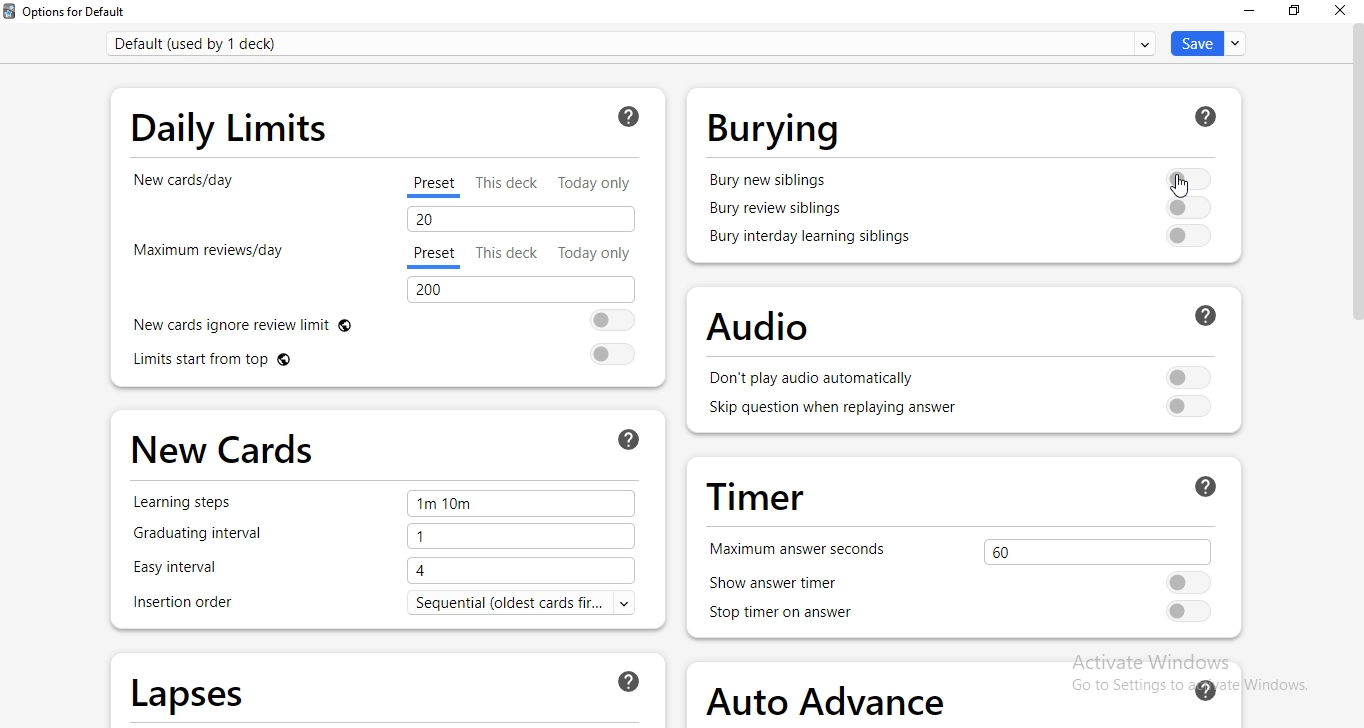 The image size is (1364, 728). I want to click on sequential (oldest cards.., so click(533, 604).